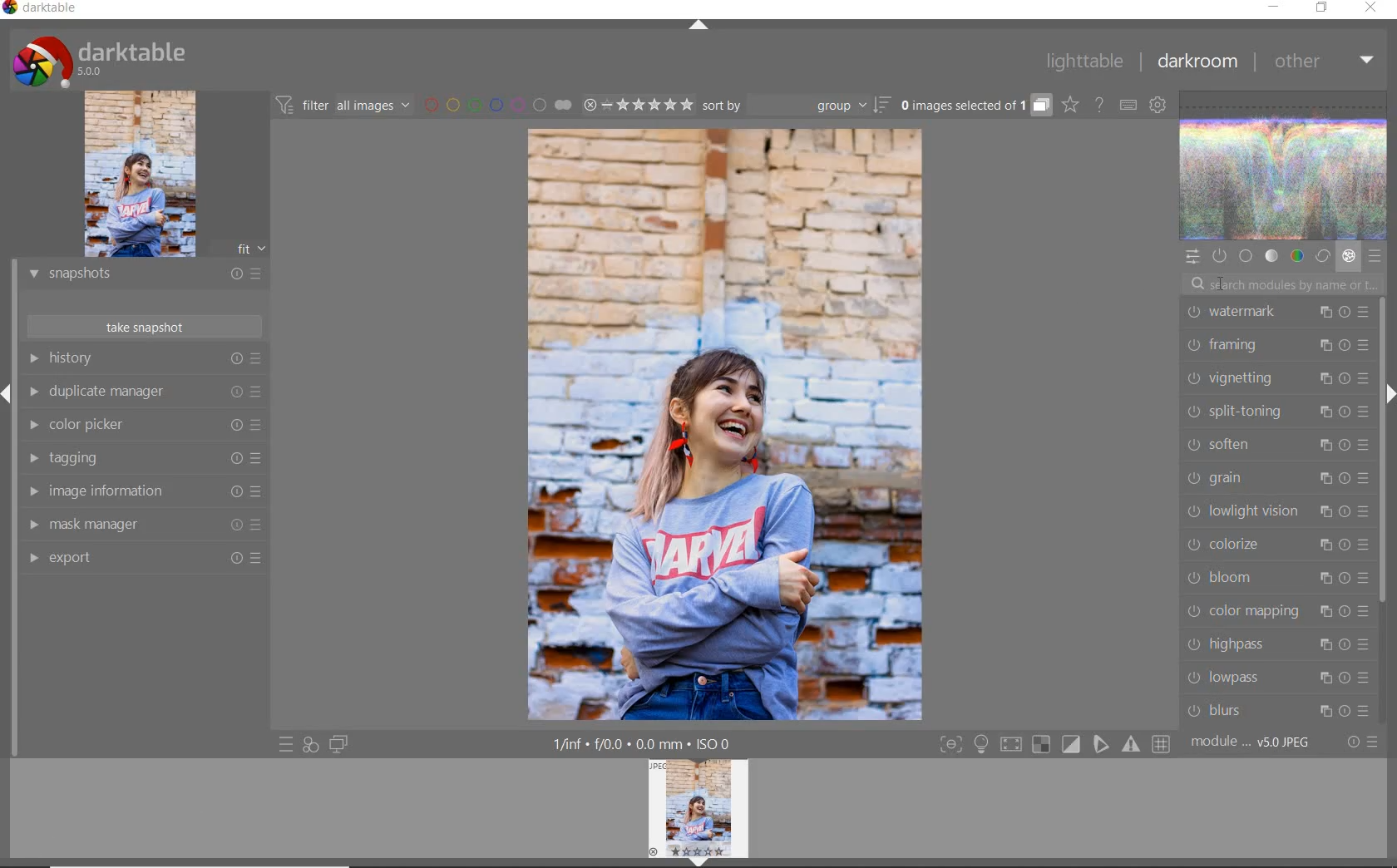  Describe the element at coordinates (1277, 345) in the screenshot. I see `framing` at that location.